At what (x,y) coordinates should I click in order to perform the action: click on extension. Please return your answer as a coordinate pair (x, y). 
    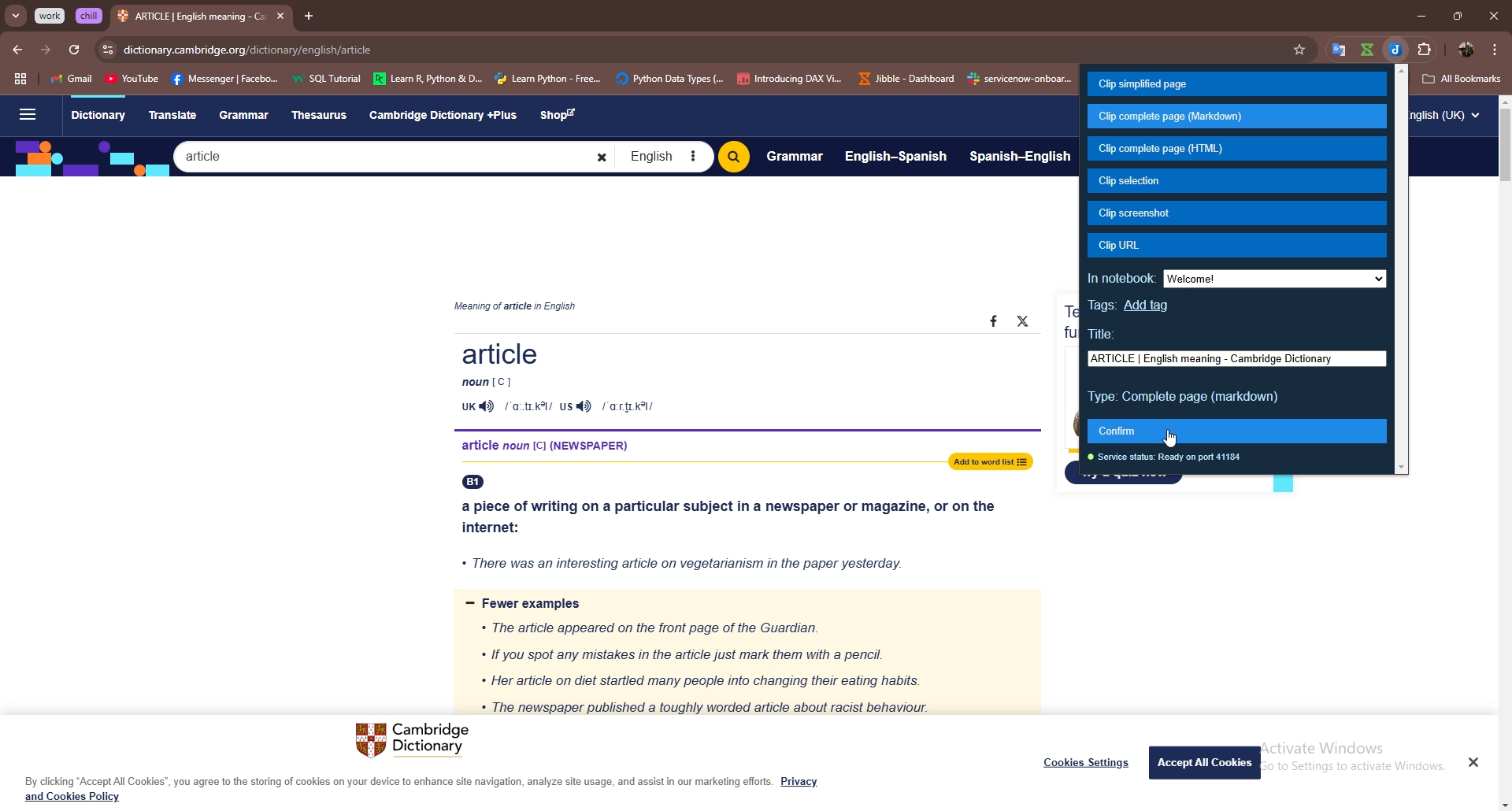
    Looking at the image, I should click on (1367, 49).